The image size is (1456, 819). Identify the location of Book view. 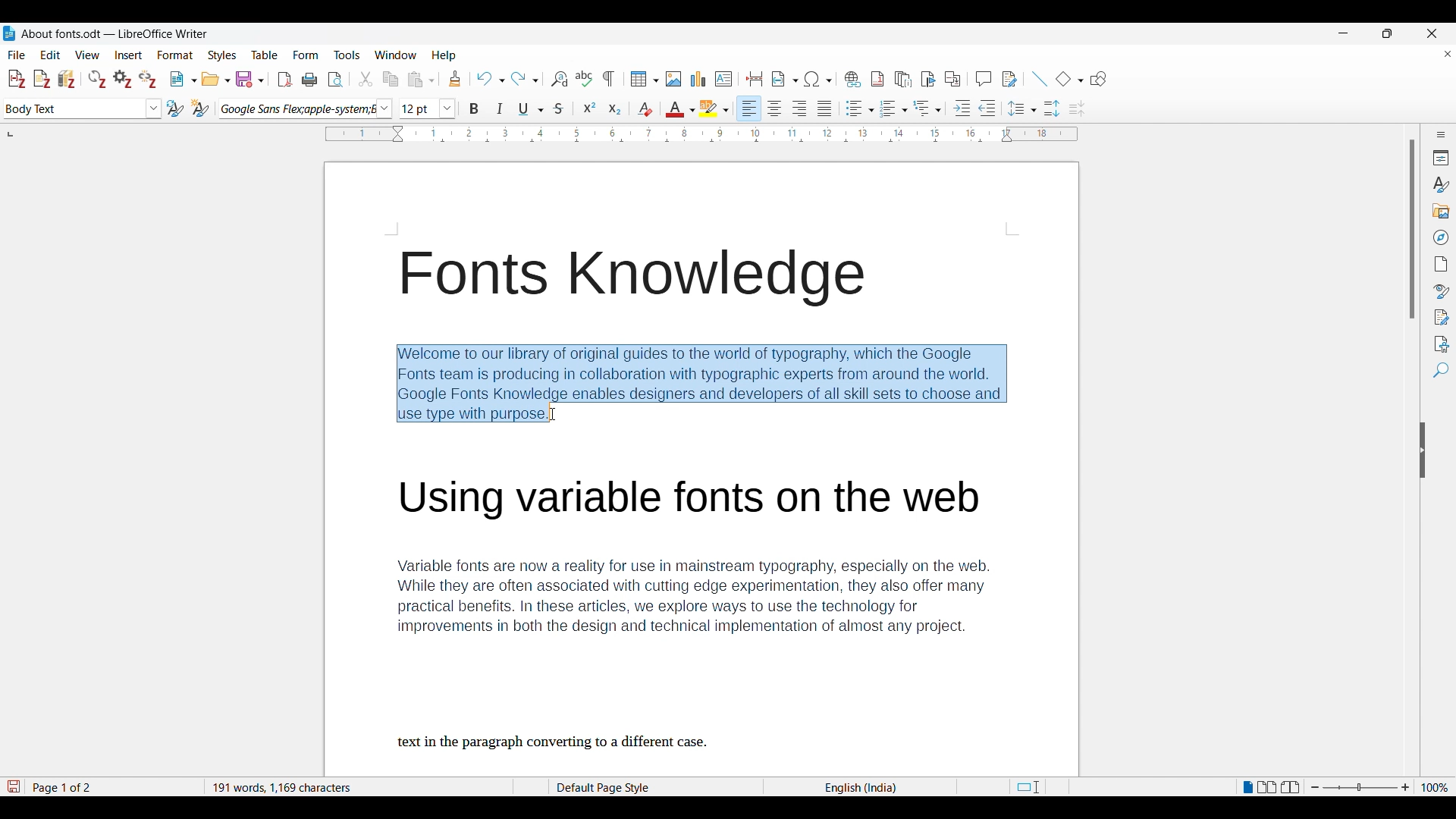
(1290, 786).